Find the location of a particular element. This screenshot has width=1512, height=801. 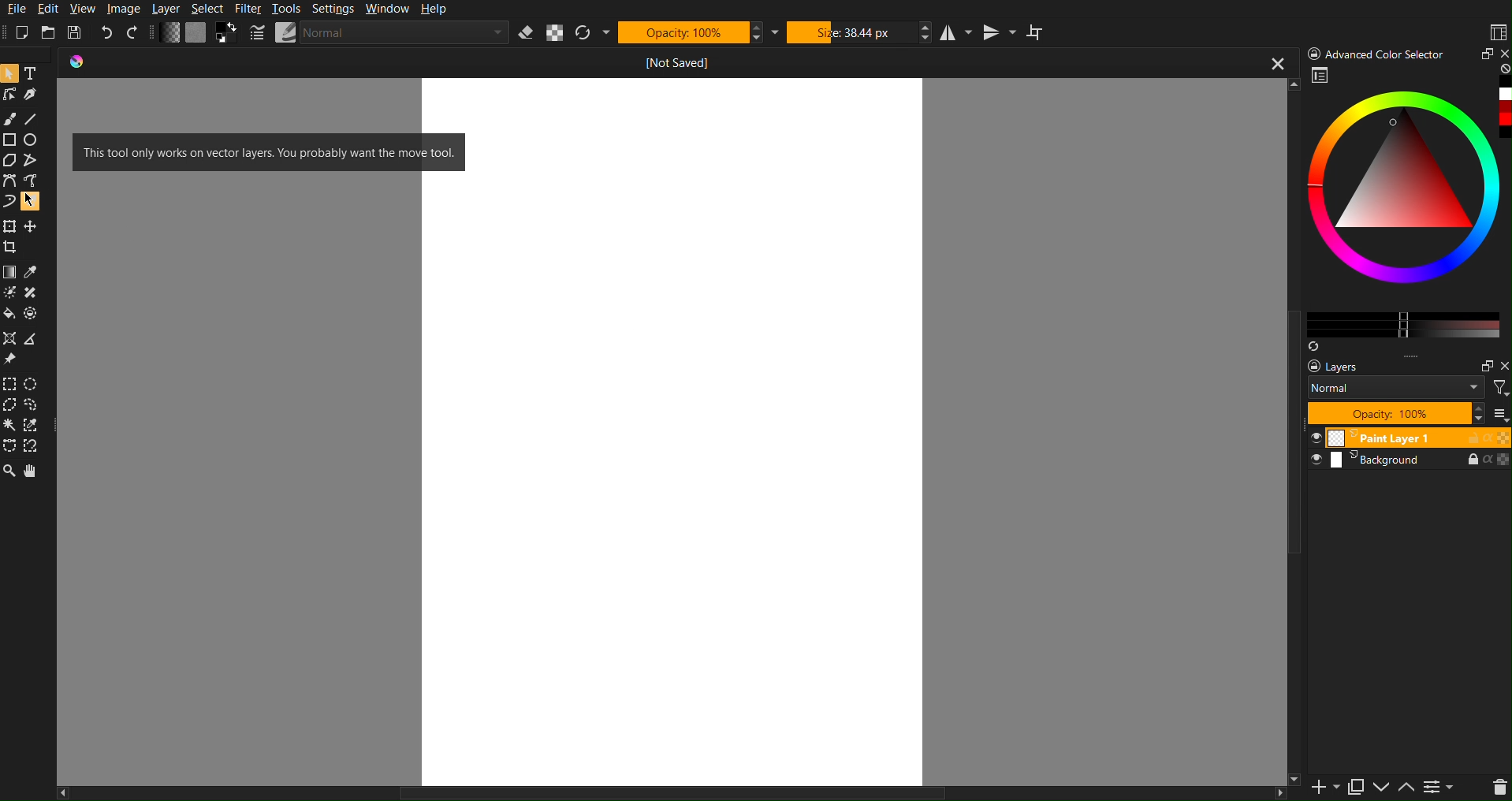

add is located at coordinates (1316, 789).